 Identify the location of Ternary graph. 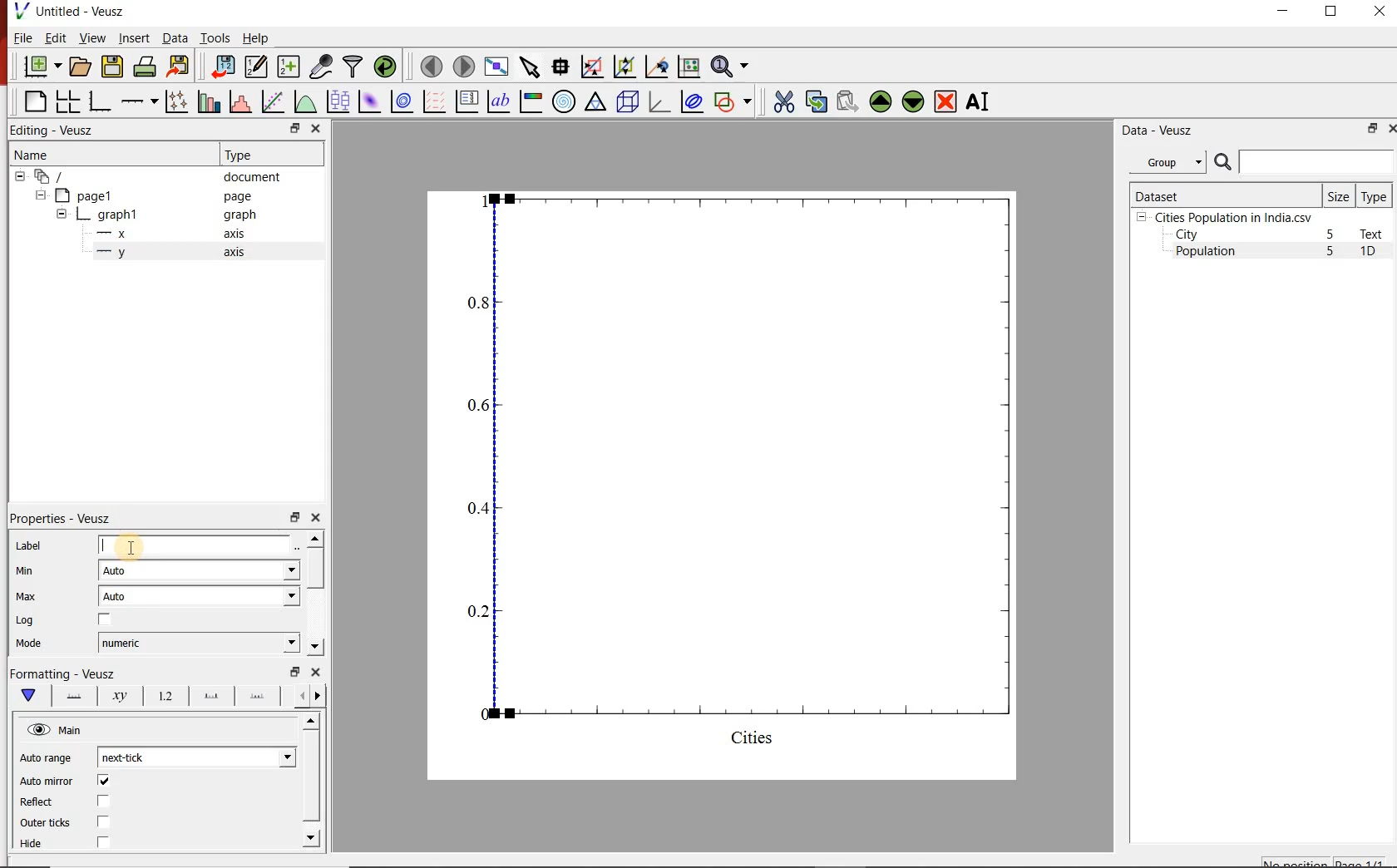
(595, 102).